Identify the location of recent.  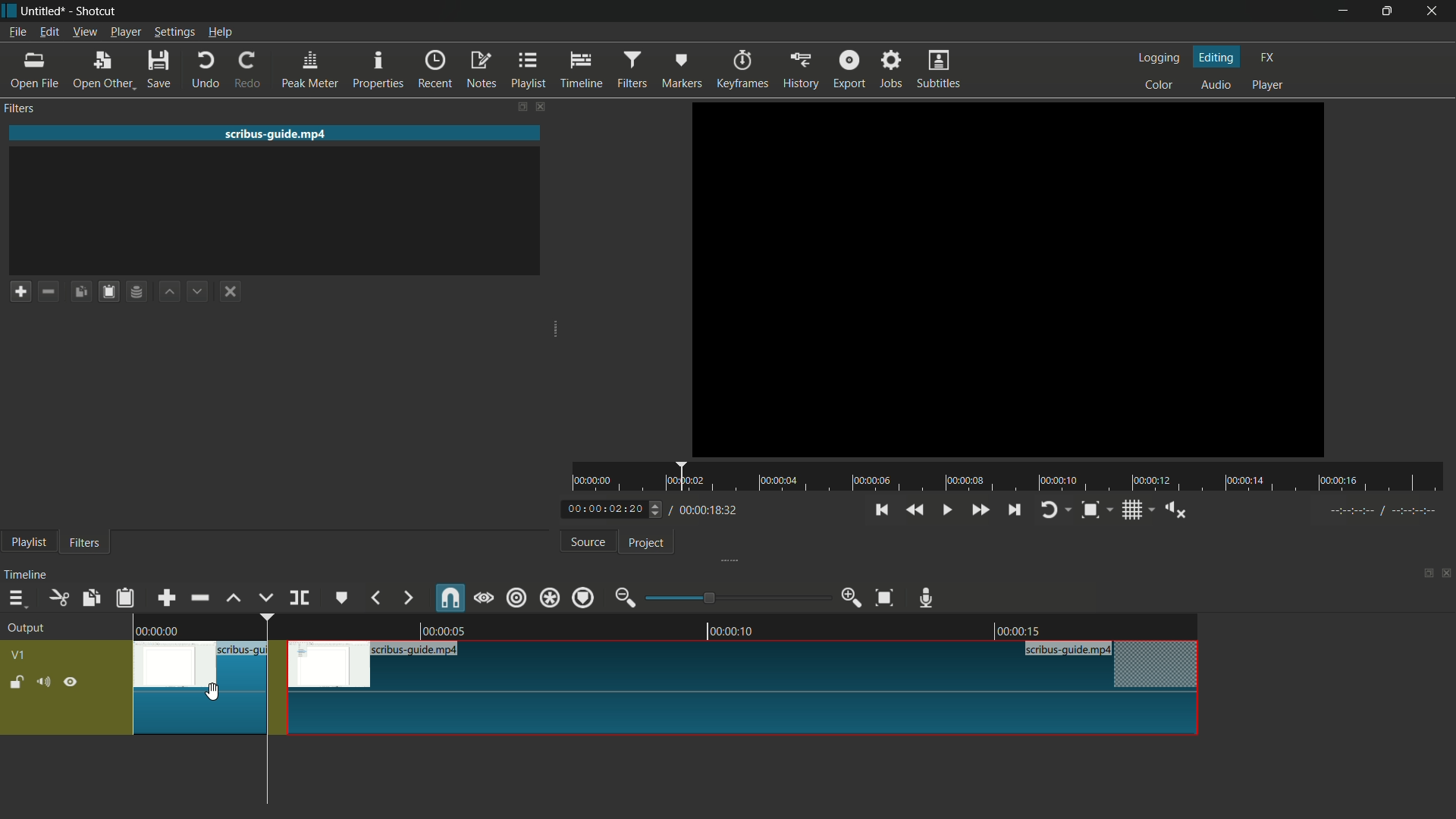
(436, 70).